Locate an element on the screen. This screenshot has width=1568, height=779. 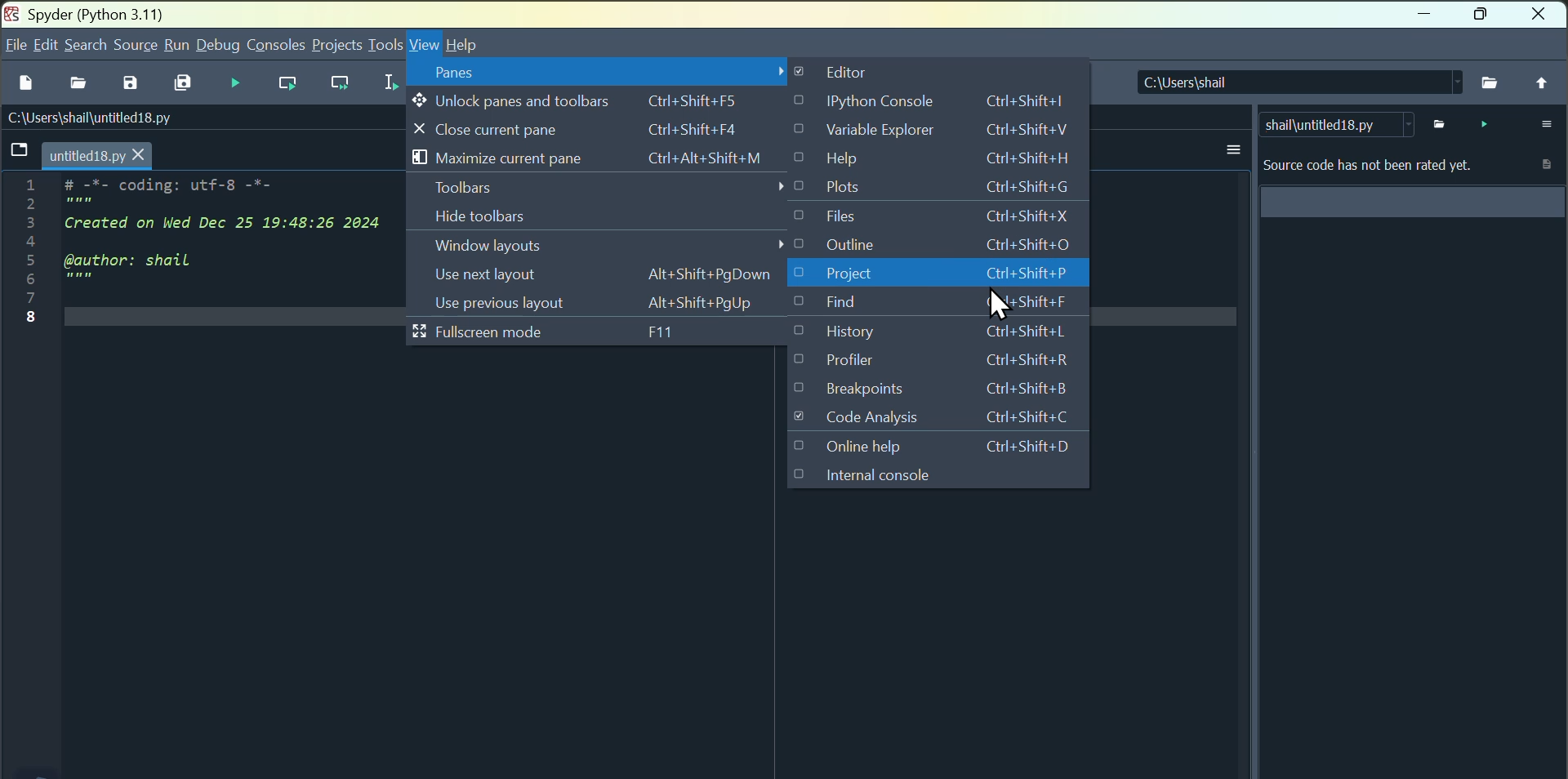
Use next layout is located at coordinates (600, 274).